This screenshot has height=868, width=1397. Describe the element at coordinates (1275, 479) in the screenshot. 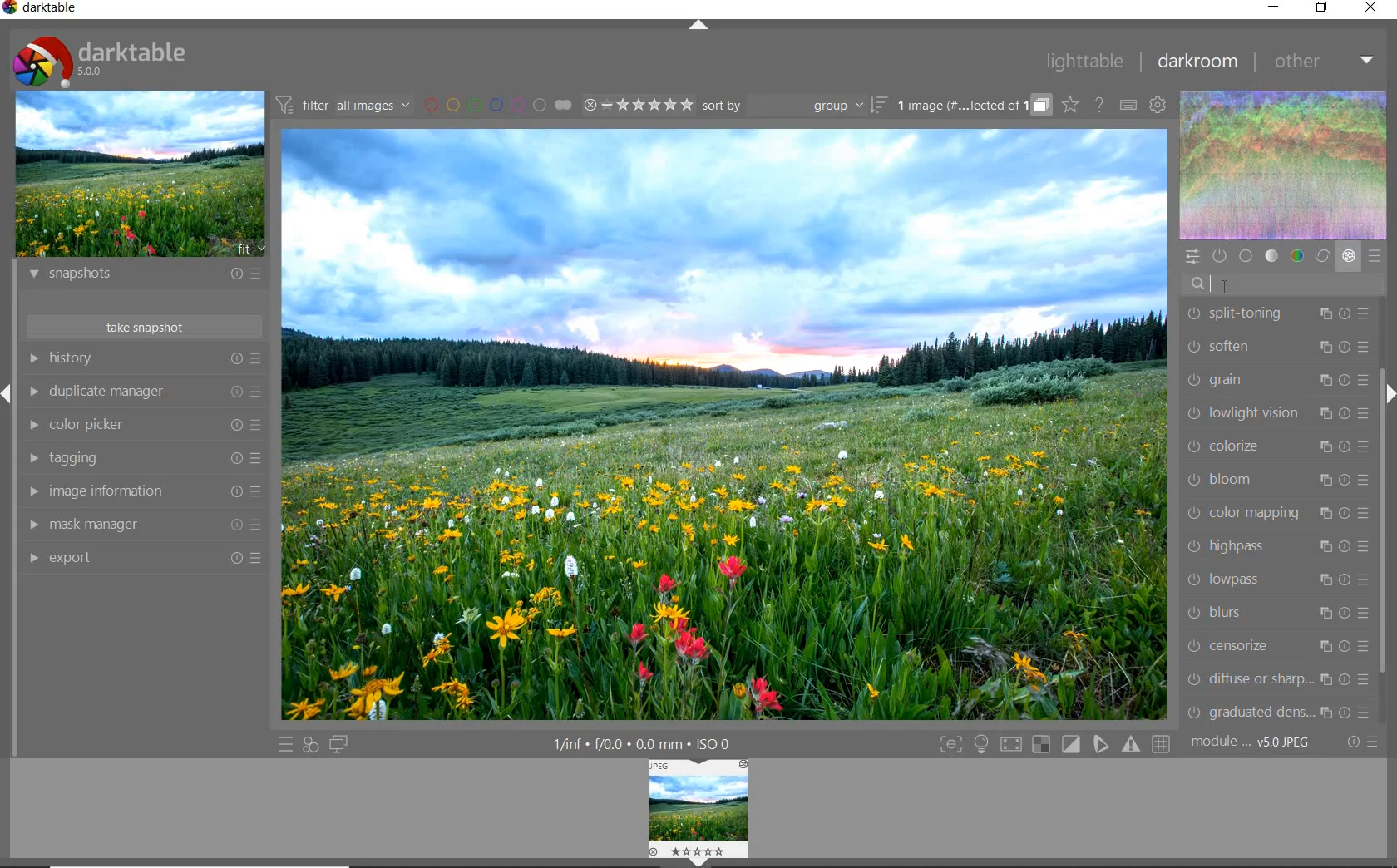

I see `bloom` at that location.